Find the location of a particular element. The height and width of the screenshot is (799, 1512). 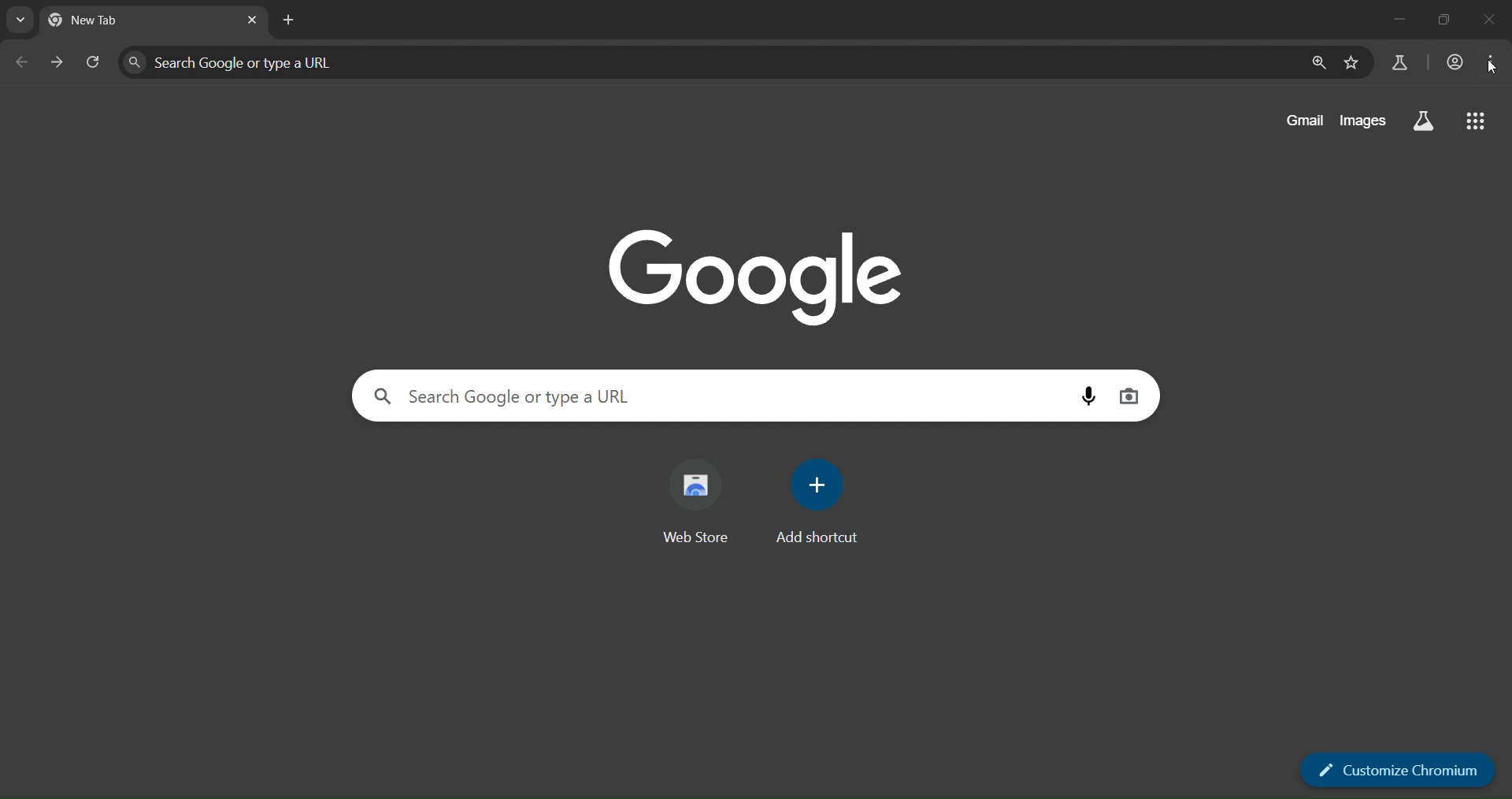

Google logo is located at coordinates (758, 272).